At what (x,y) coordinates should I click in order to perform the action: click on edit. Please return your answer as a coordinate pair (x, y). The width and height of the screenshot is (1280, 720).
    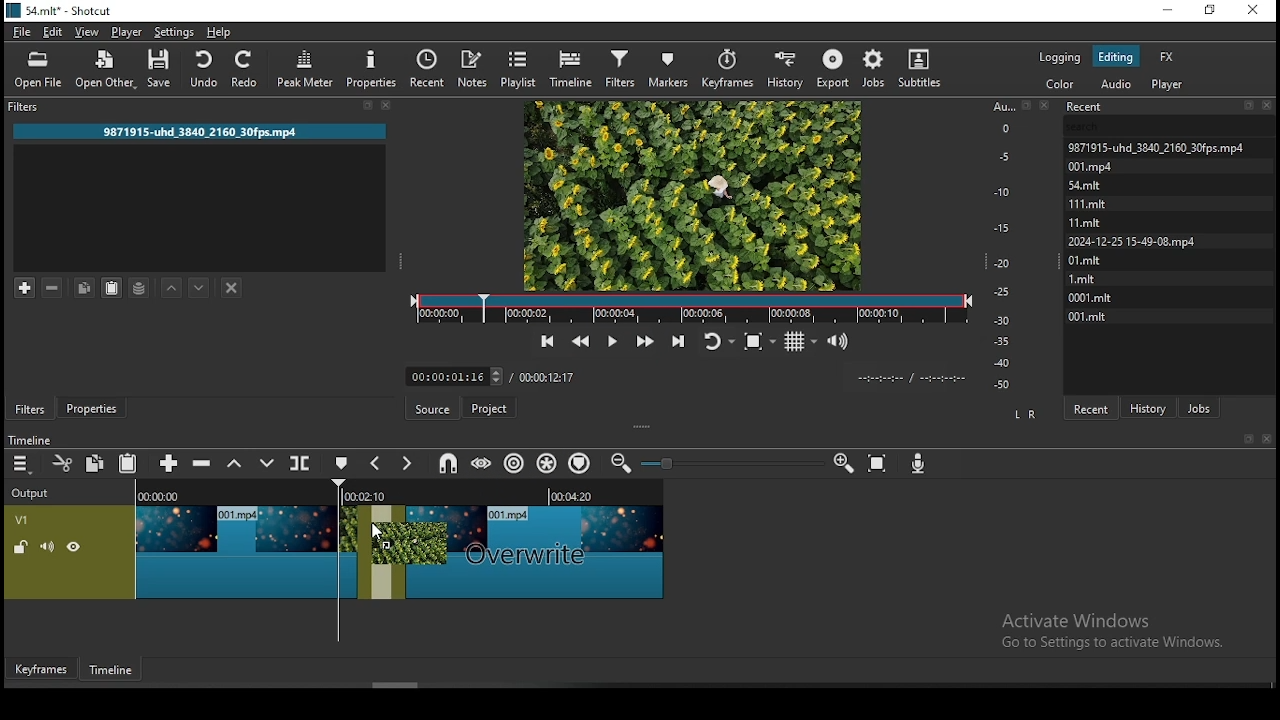
    Looking at the image, I should click on (51, 31).